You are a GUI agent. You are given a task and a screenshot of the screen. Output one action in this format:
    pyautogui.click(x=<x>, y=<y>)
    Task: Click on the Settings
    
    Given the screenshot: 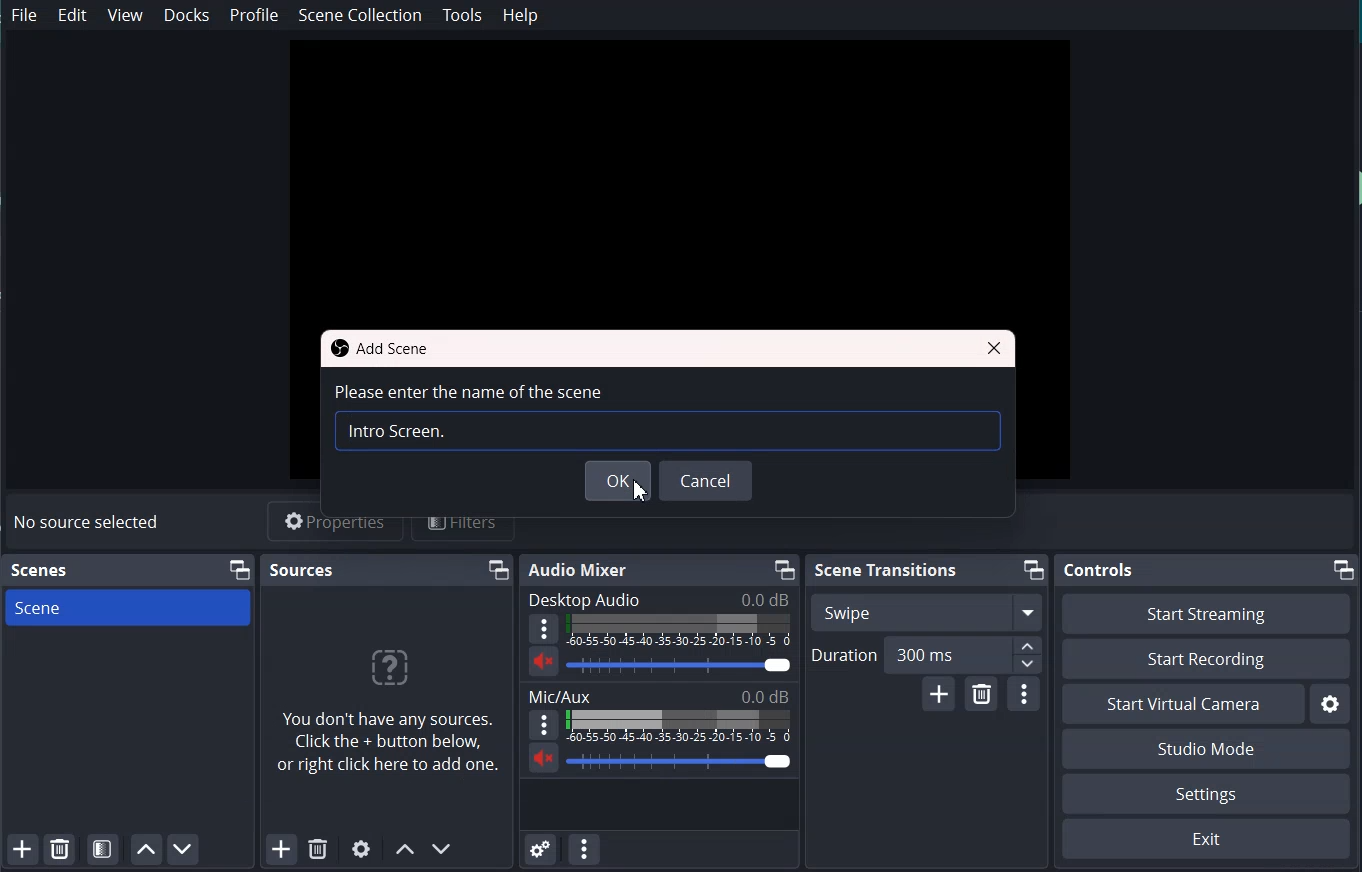 What is the action you would take?
    pyautogui.click(x=1330, y=703)
    